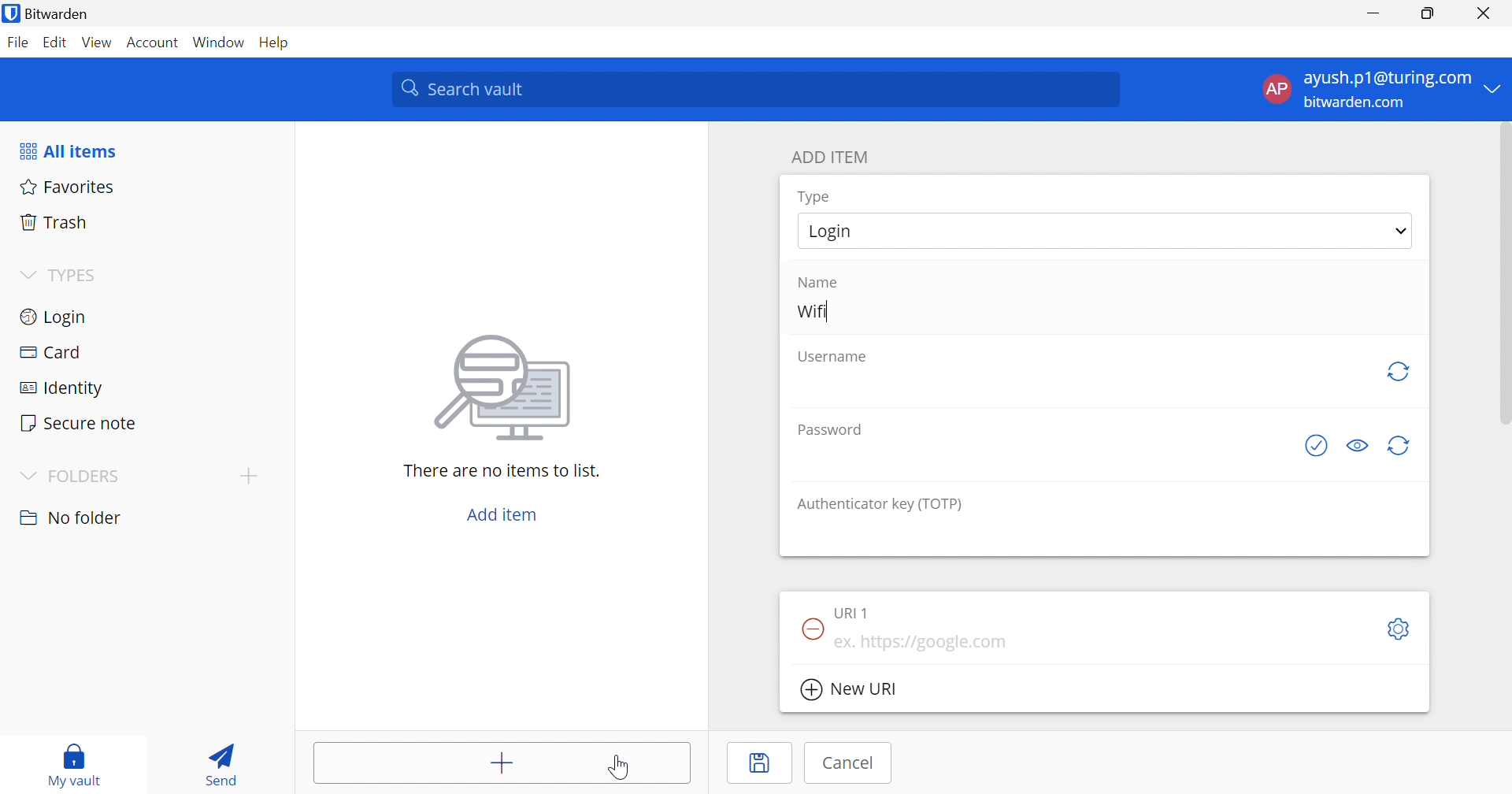 The image size is (1512, 794). What do you see at coordinates (1275, 92) in the screenshot?
I see `AP` at bounding box center [1275, 92].